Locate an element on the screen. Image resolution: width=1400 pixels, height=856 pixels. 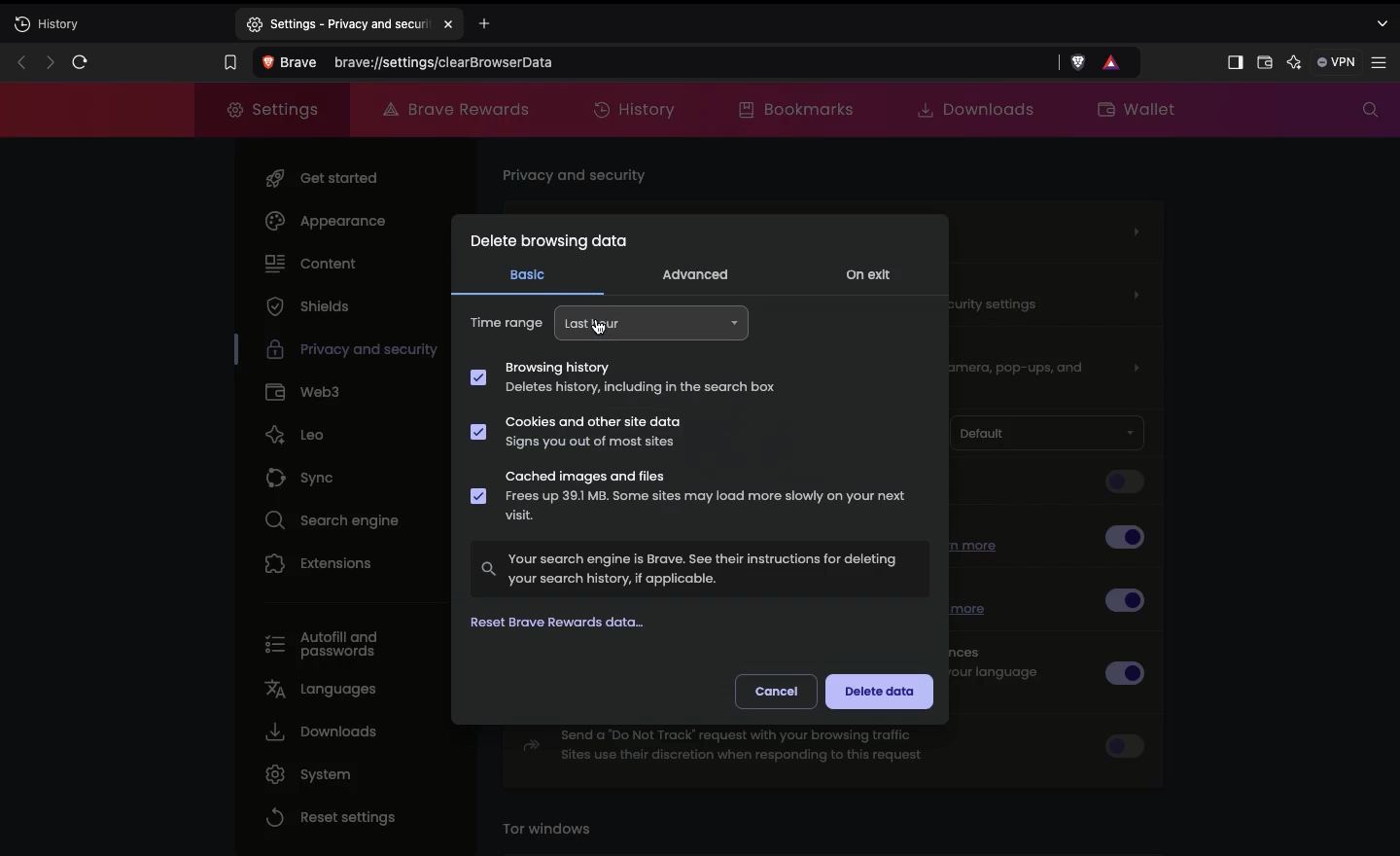
Tor windows is located at coordinates (553, 830).